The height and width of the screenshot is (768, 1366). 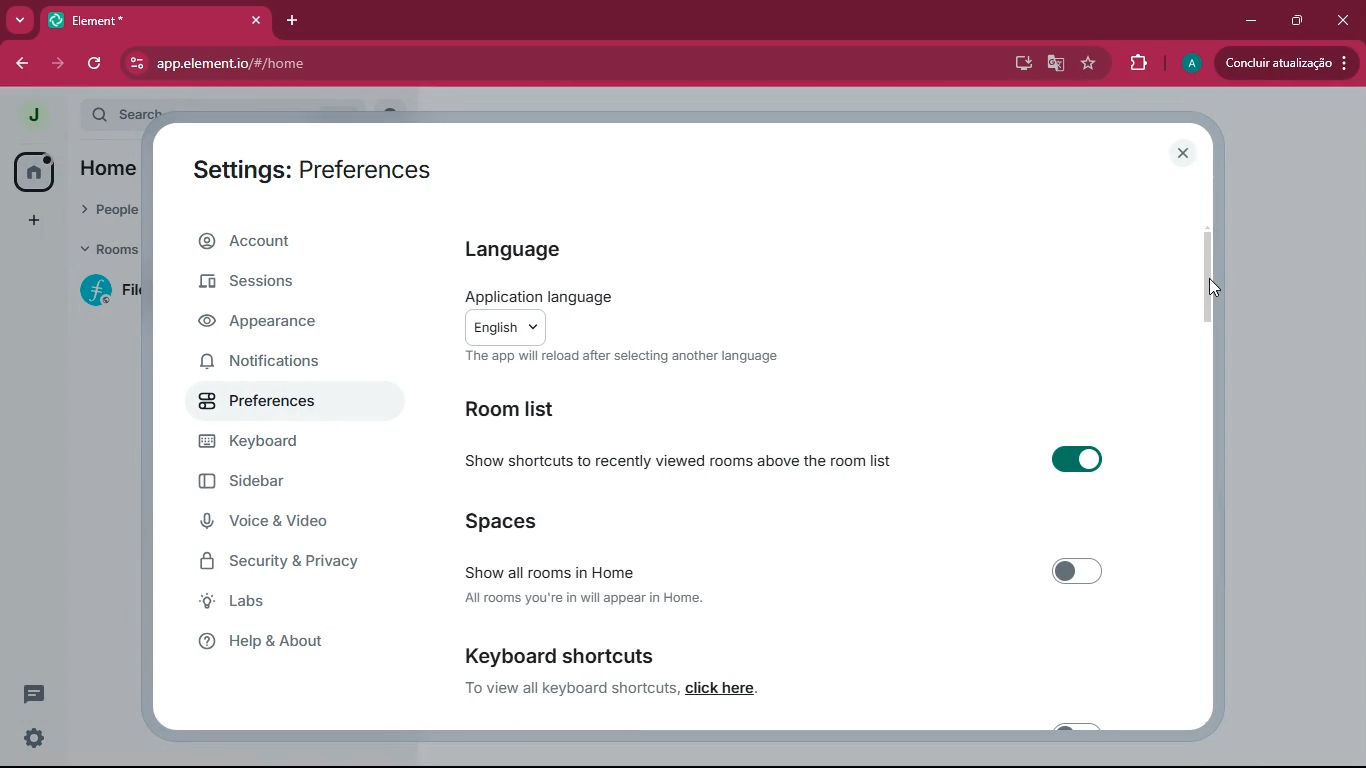 I want to click on language, so click(x=517, y=250).